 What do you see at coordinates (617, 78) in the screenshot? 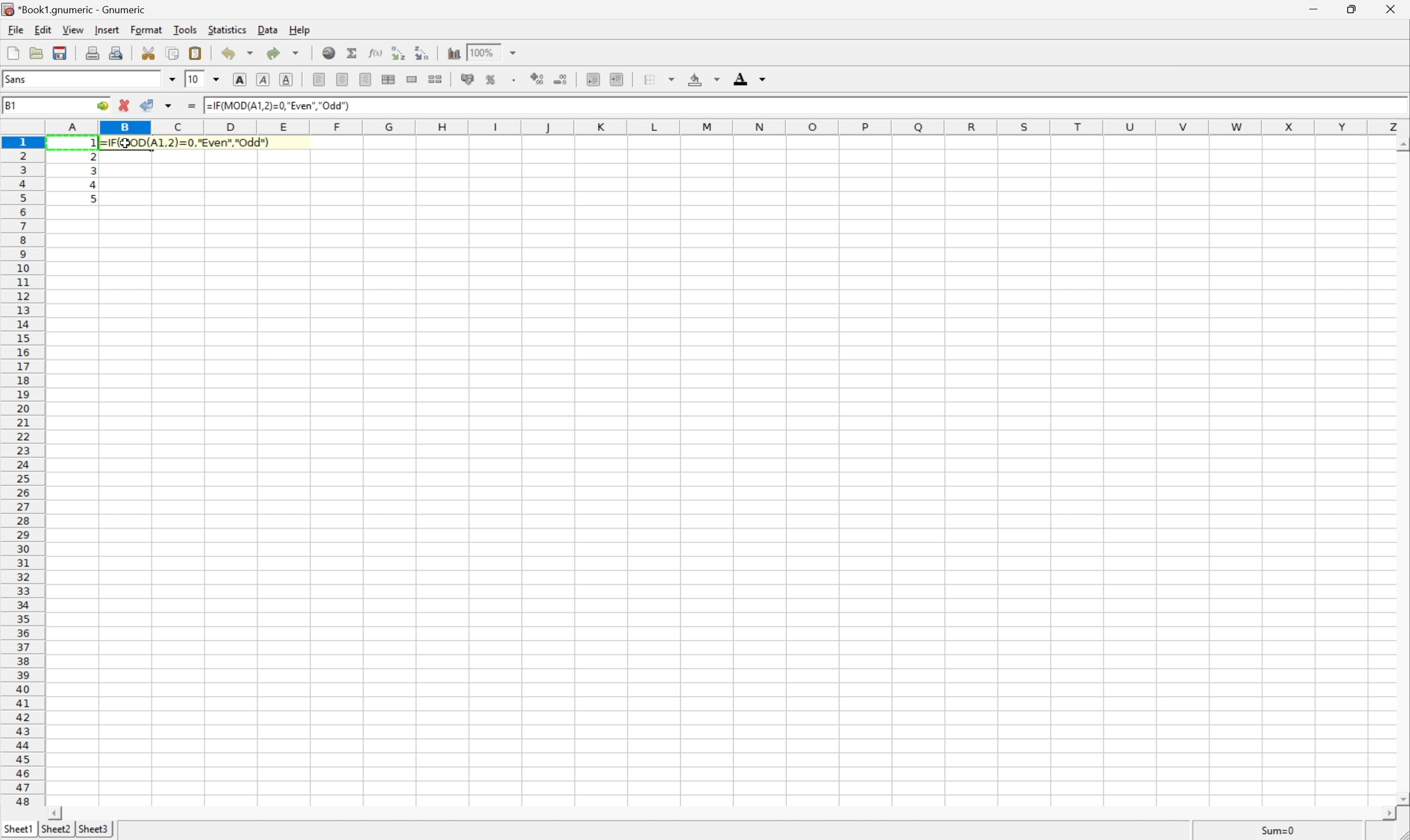
I see `Increase indent, and align the contents to the left` at bounding box center [617, 78].